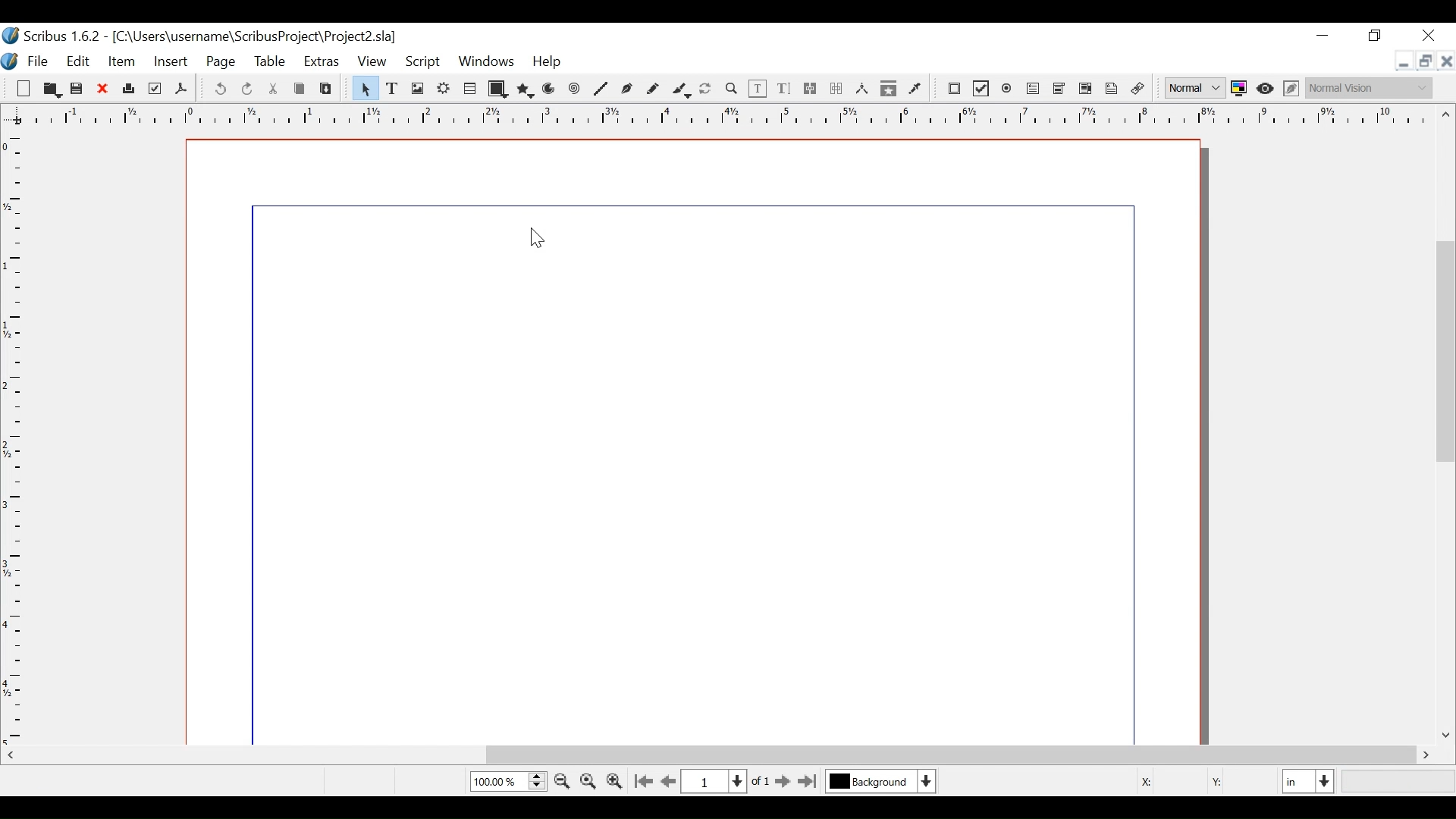  Describe the element at coordinates (880, 781) in the screenshot. I see `Select the current layer` at that location.